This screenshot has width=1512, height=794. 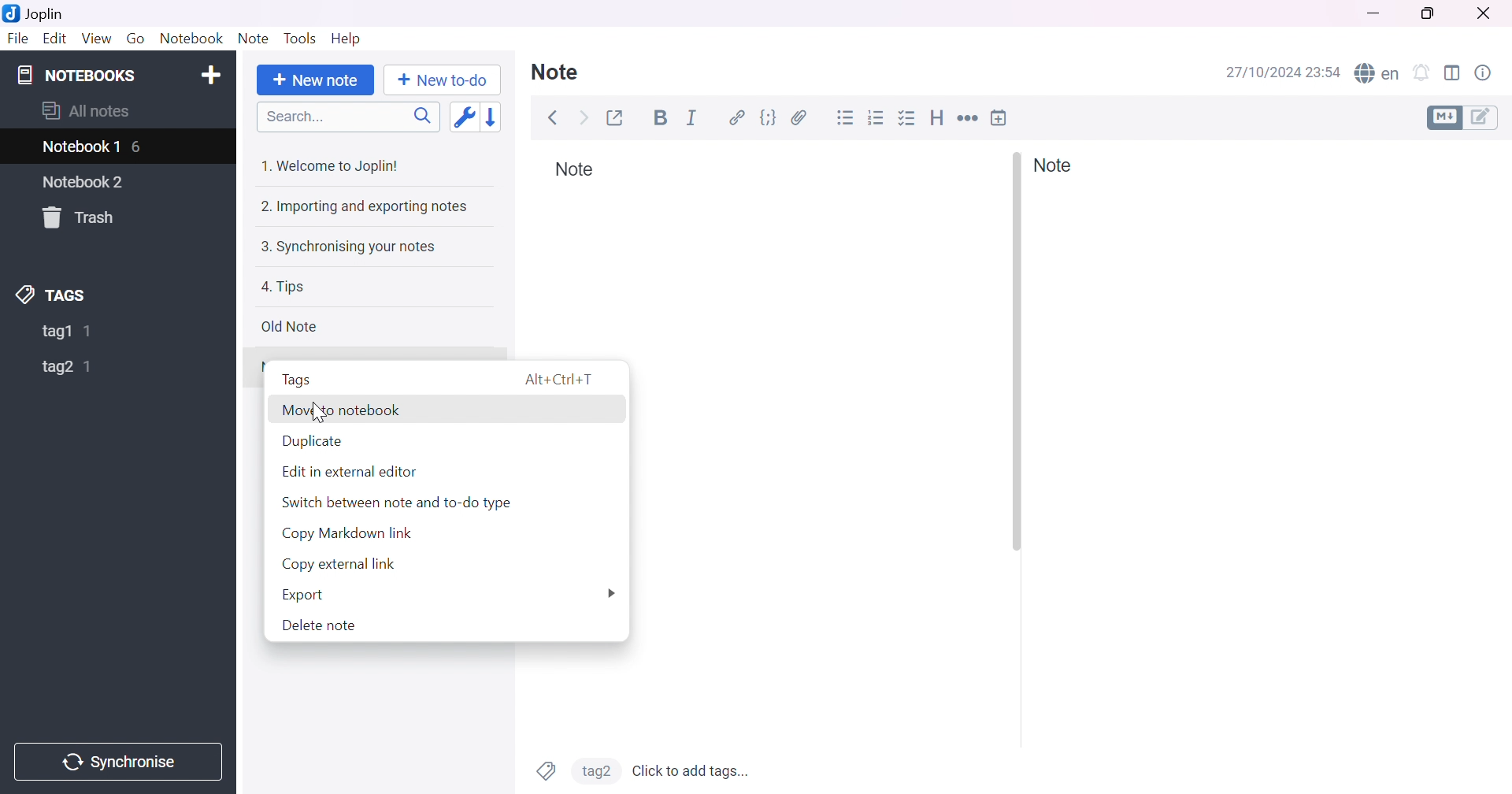 What do you see at coordinates (1421, 72) in the screenshot?
I see `Set alarm` at bounding box center [1421, 72].